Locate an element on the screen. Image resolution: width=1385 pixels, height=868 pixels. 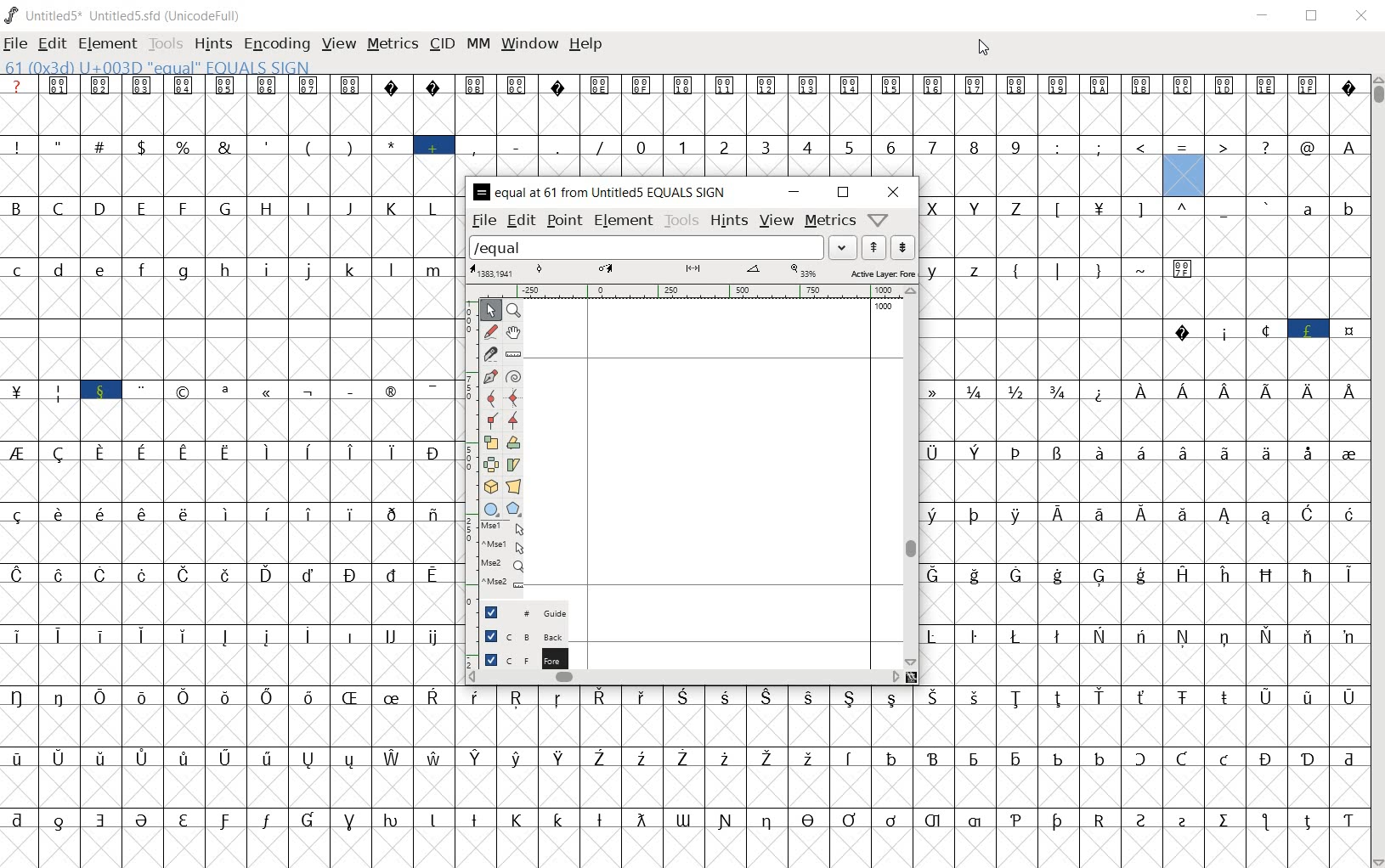
merge into selection is located at coordinates (649, 457).